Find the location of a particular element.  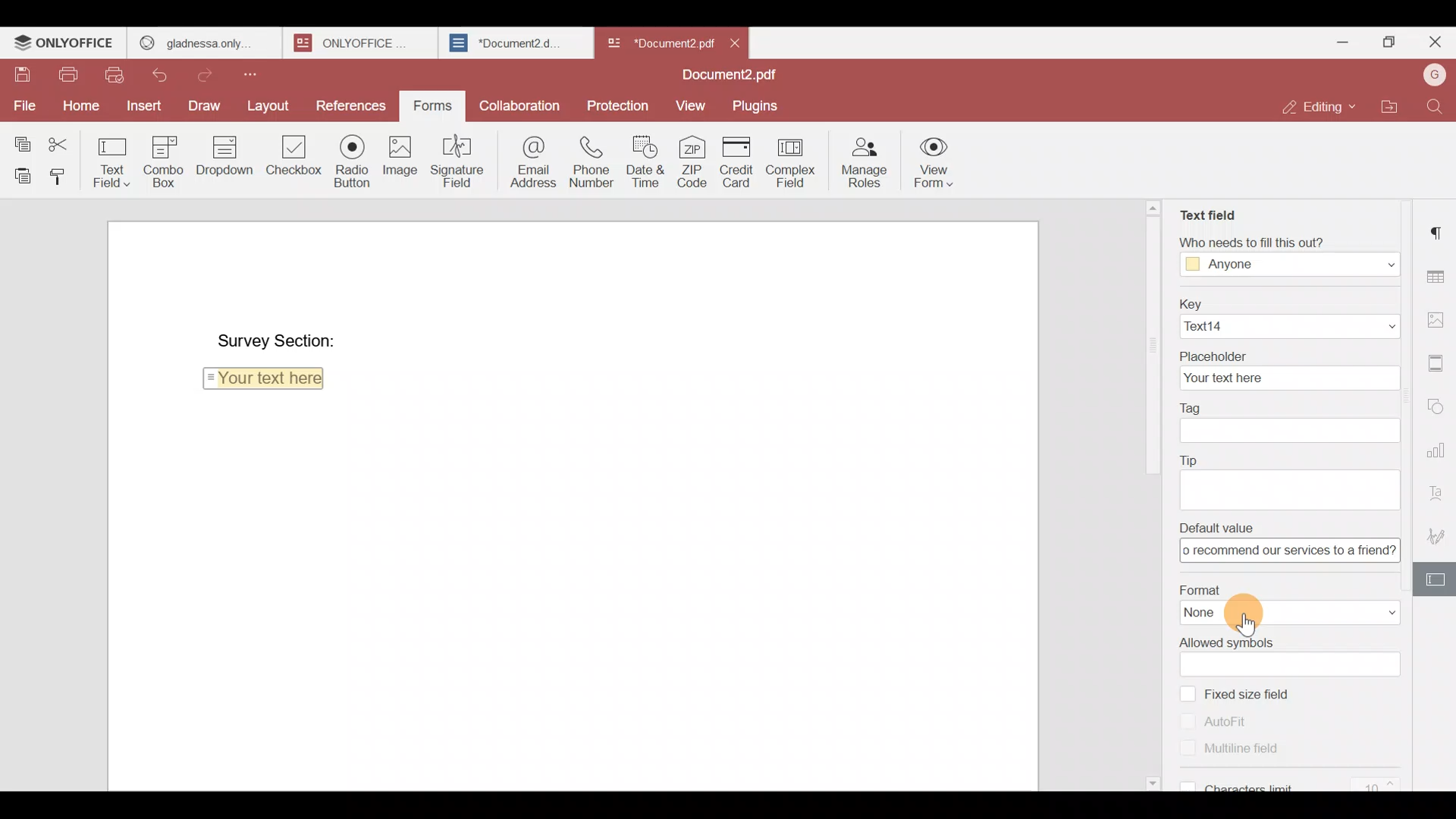

Redo is located at coordinates (210, 73).